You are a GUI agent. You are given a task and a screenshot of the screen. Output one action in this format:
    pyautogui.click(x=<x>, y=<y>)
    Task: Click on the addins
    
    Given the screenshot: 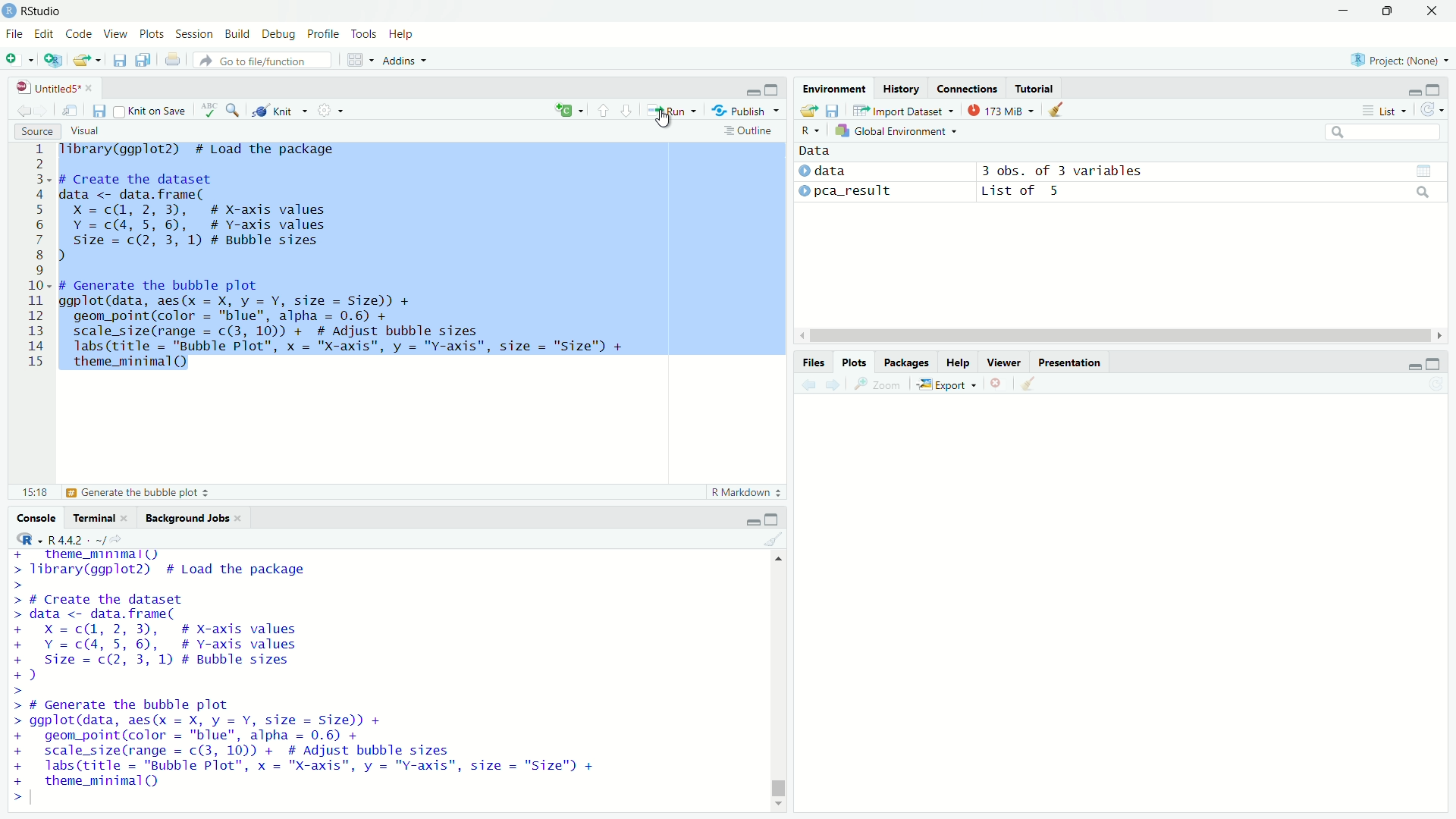 What is the action you would take?
    pyautogui.click(x=403, y=61)
    